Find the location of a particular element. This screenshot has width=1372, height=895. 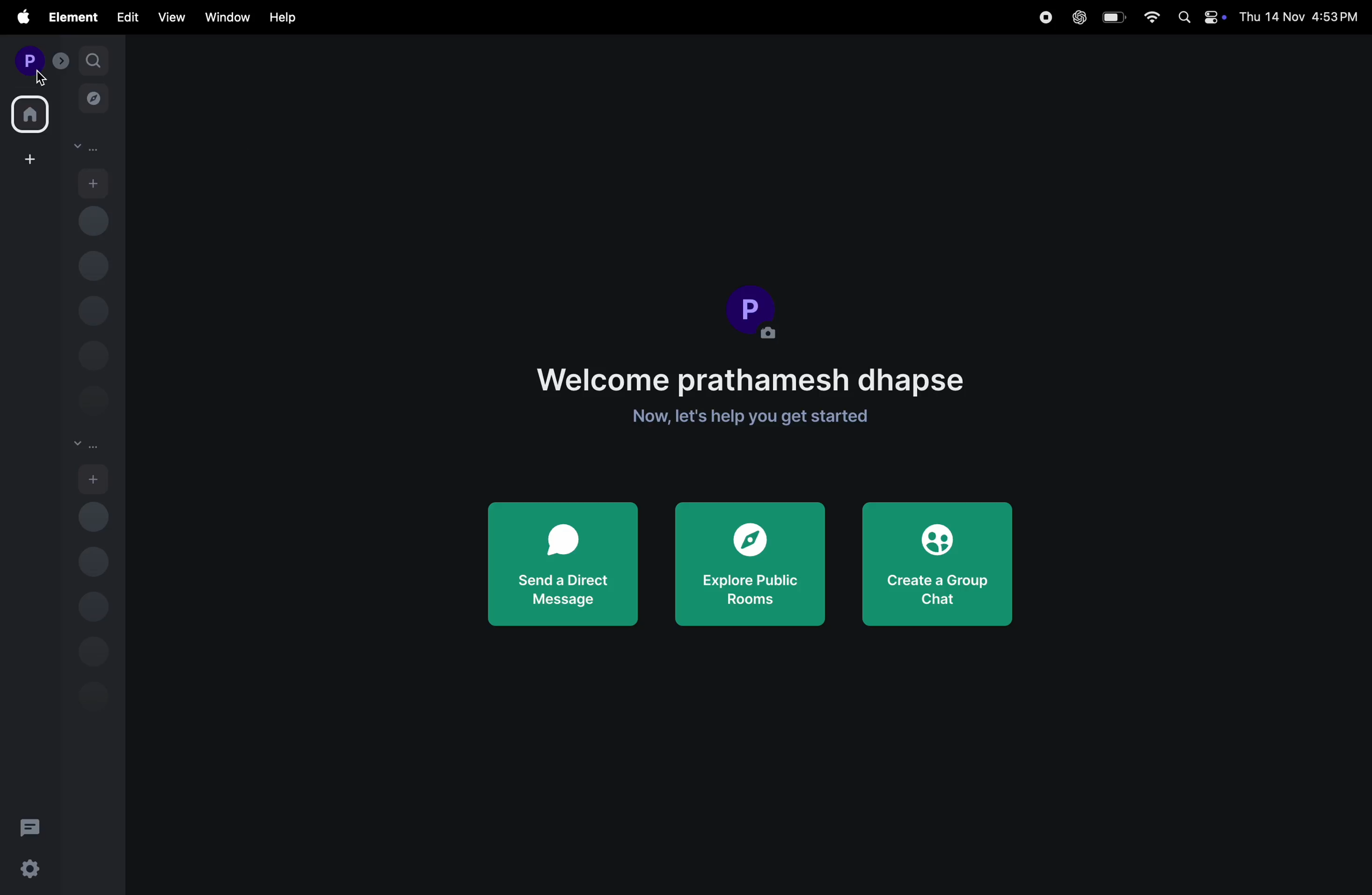

element is located at coordinates (71, 17).